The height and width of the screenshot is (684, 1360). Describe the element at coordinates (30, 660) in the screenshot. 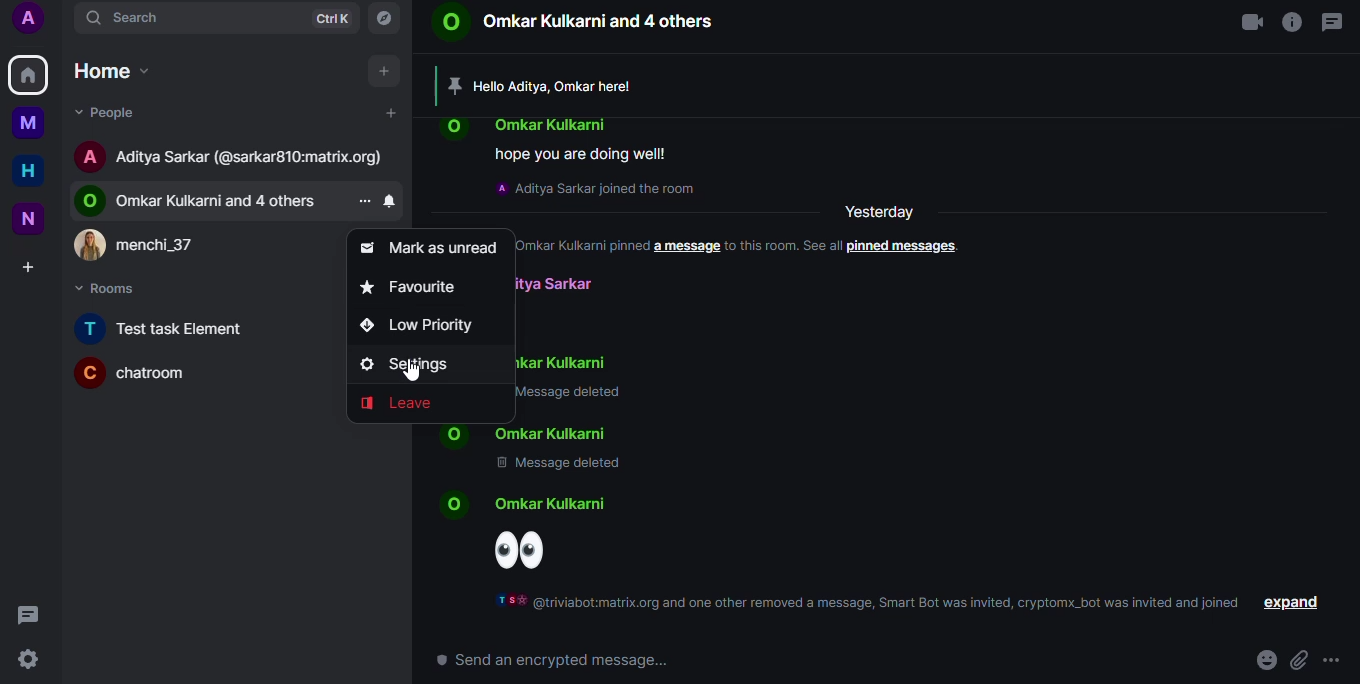

I see `settings` at that location.